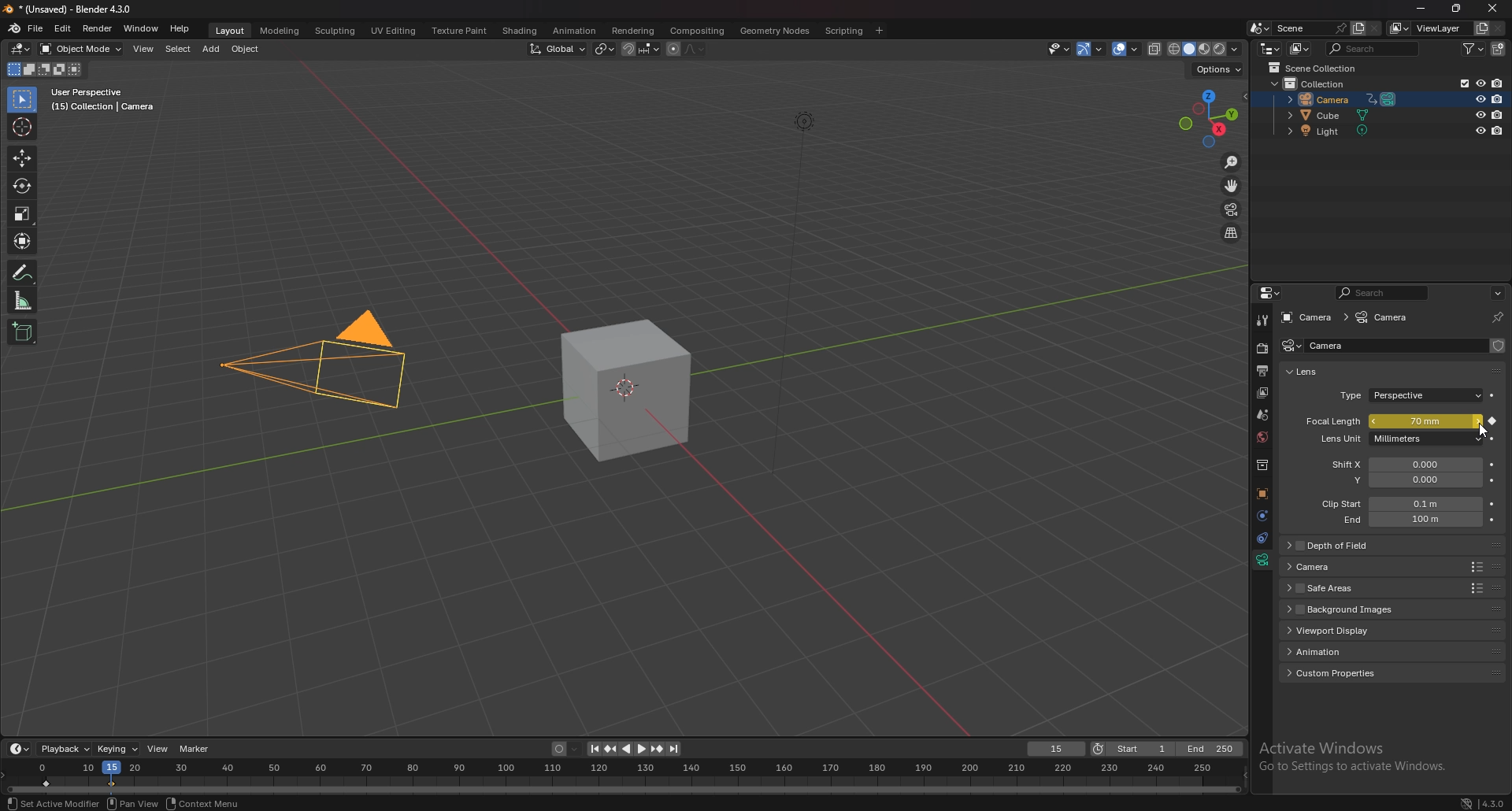  I want to click on minimize, so click(1423, 9).